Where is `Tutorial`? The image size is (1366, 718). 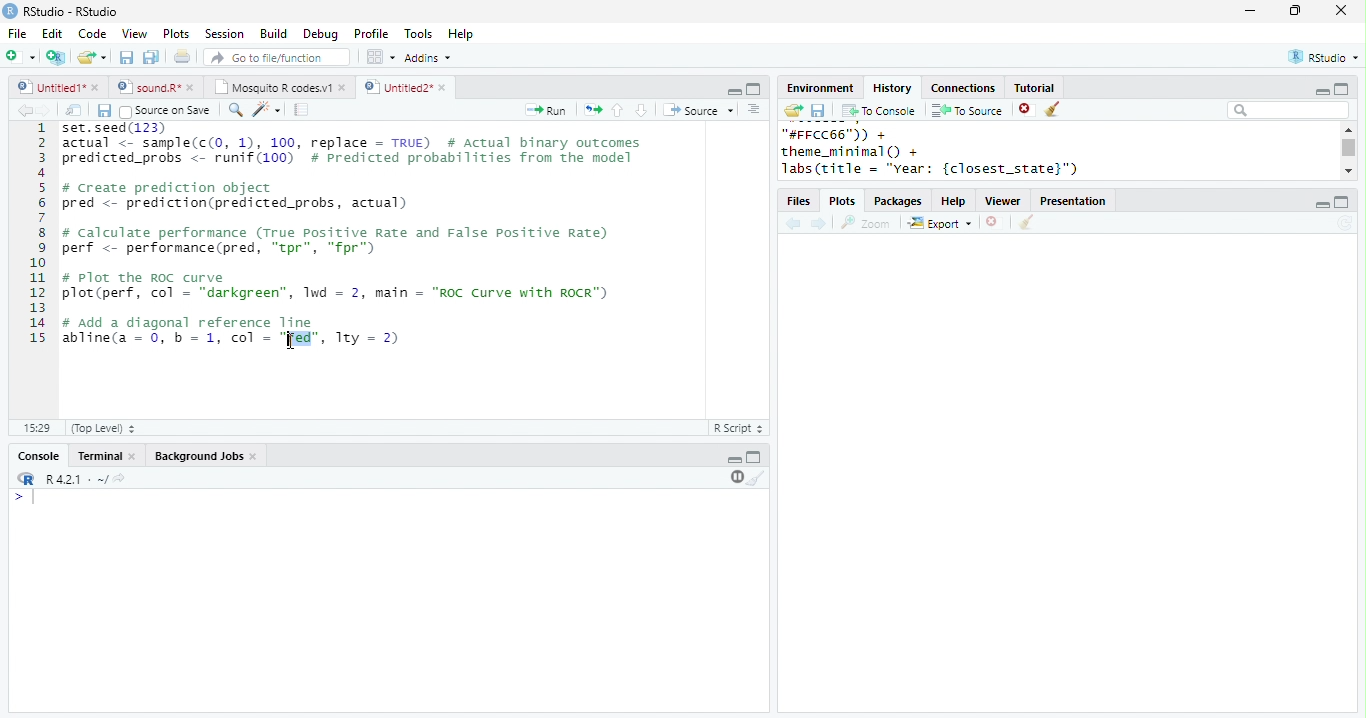 Tutorial is located at coordinates (1033, 87).